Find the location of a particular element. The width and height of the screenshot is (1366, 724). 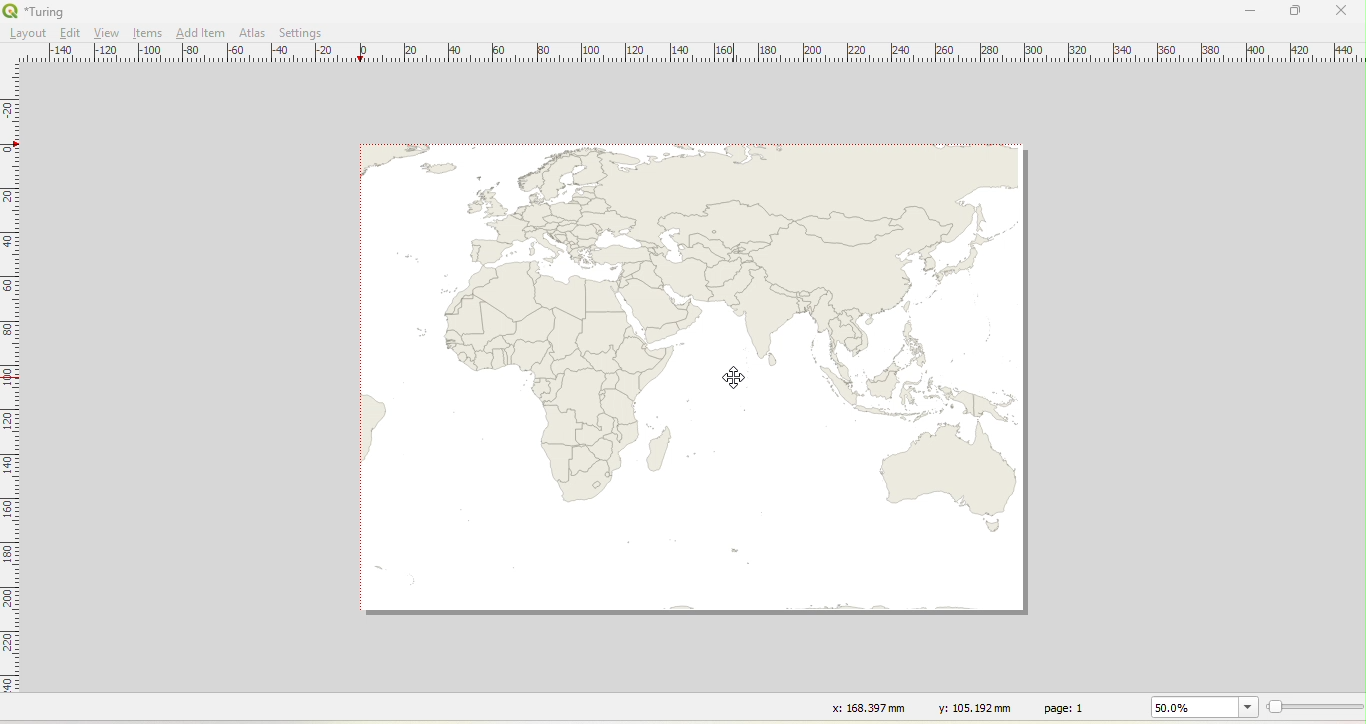

Settings is located at coordinates (302, 33).